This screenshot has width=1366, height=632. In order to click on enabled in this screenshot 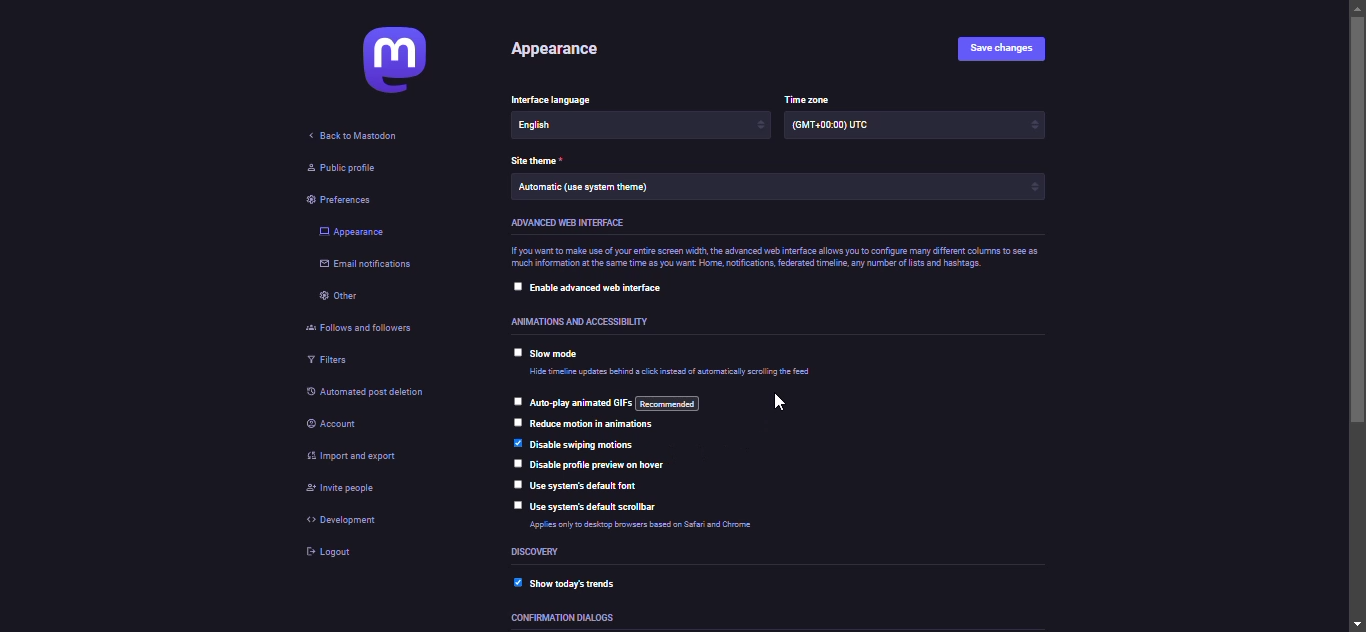, I will do `click(515, 584)`.